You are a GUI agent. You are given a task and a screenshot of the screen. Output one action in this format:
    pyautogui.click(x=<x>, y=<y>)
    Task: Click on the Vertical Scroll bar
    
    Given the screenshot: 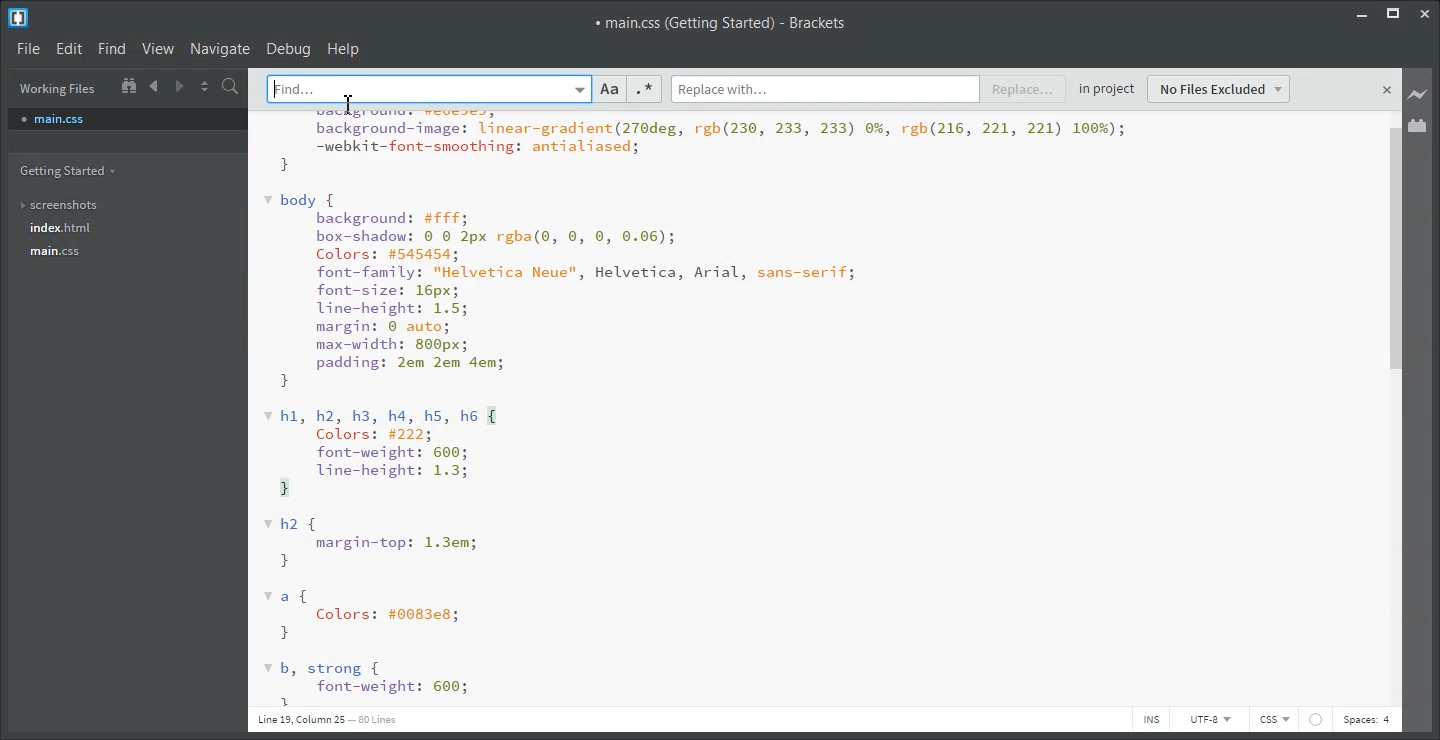 What is the action you would take?
    pyautogui.click(x=1394, y=411)
    